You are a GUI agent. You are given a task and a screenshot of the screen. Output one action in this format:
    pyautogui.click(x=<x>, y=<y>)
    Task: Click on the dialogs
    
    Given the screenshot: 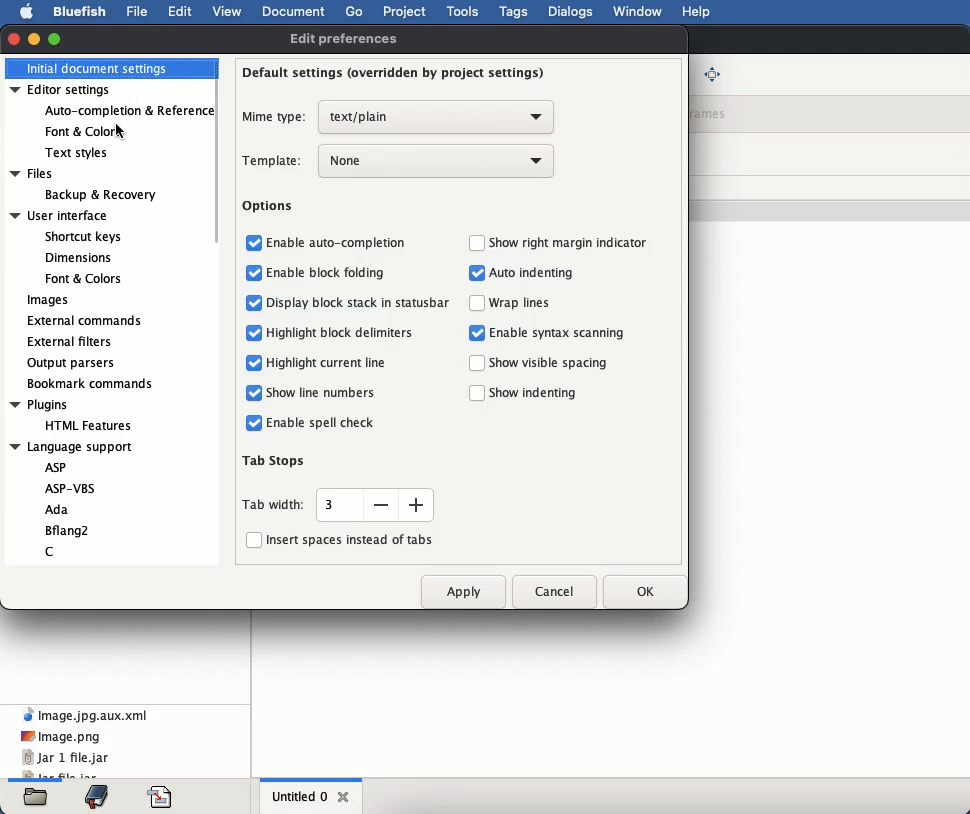 What is the action you would take?
    pyautogui.click(x=572, y=12)
    